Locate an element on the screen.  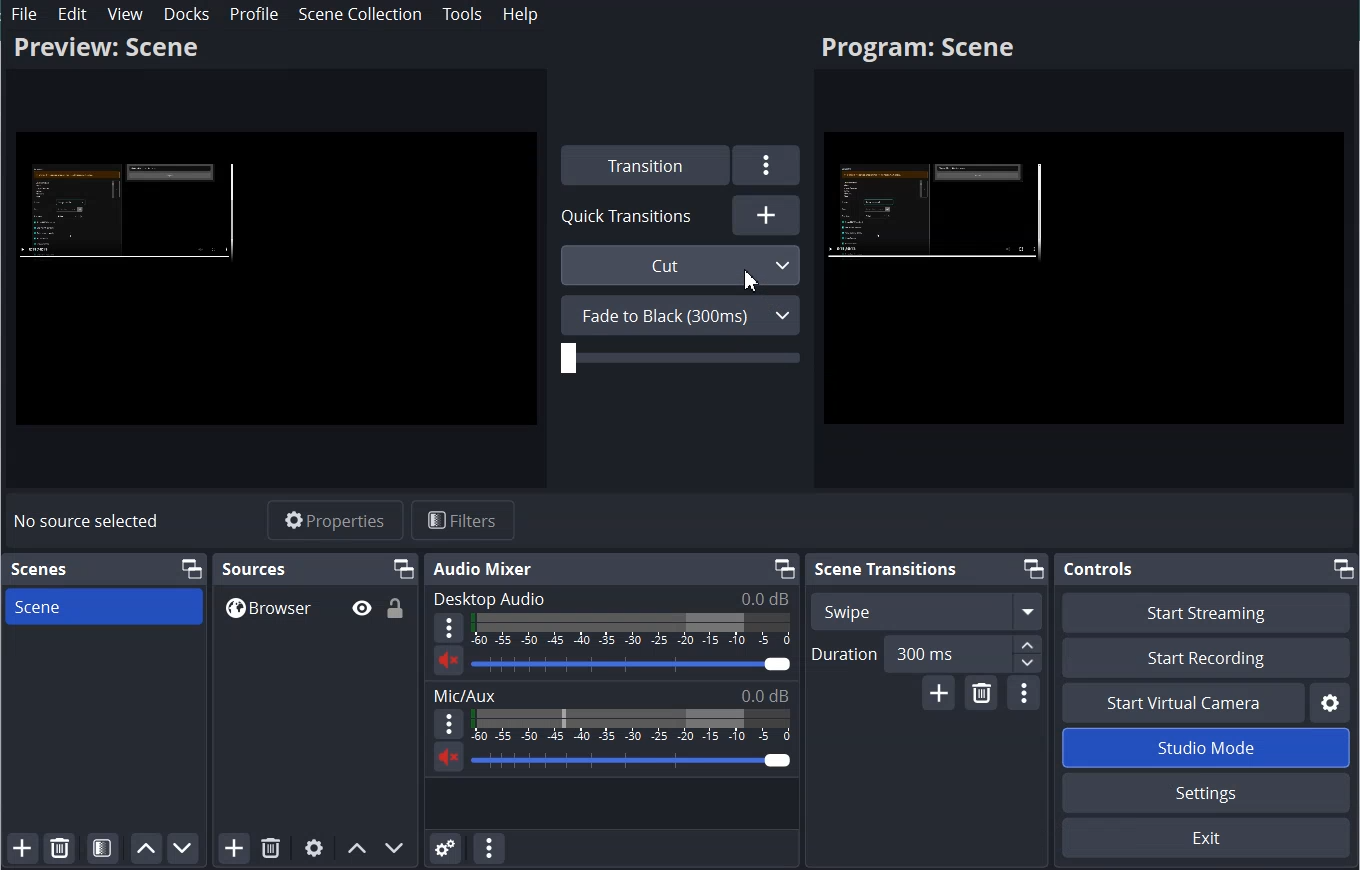
Start Recording is located at coordinates (1205, 657).